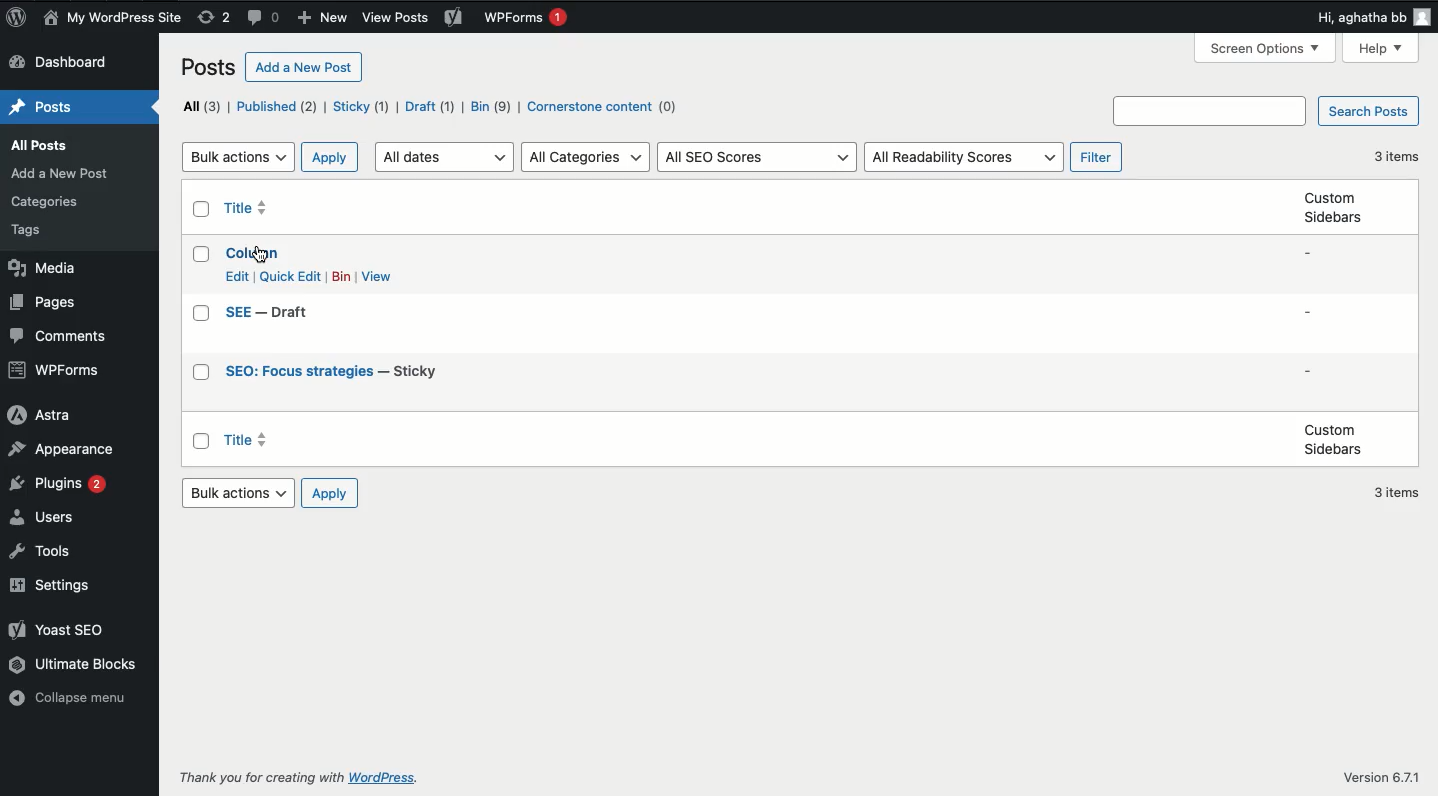  What do you see at coordinates (329, 157) in the screenshot?
I see `Apply` at bounding box center [329, 157].